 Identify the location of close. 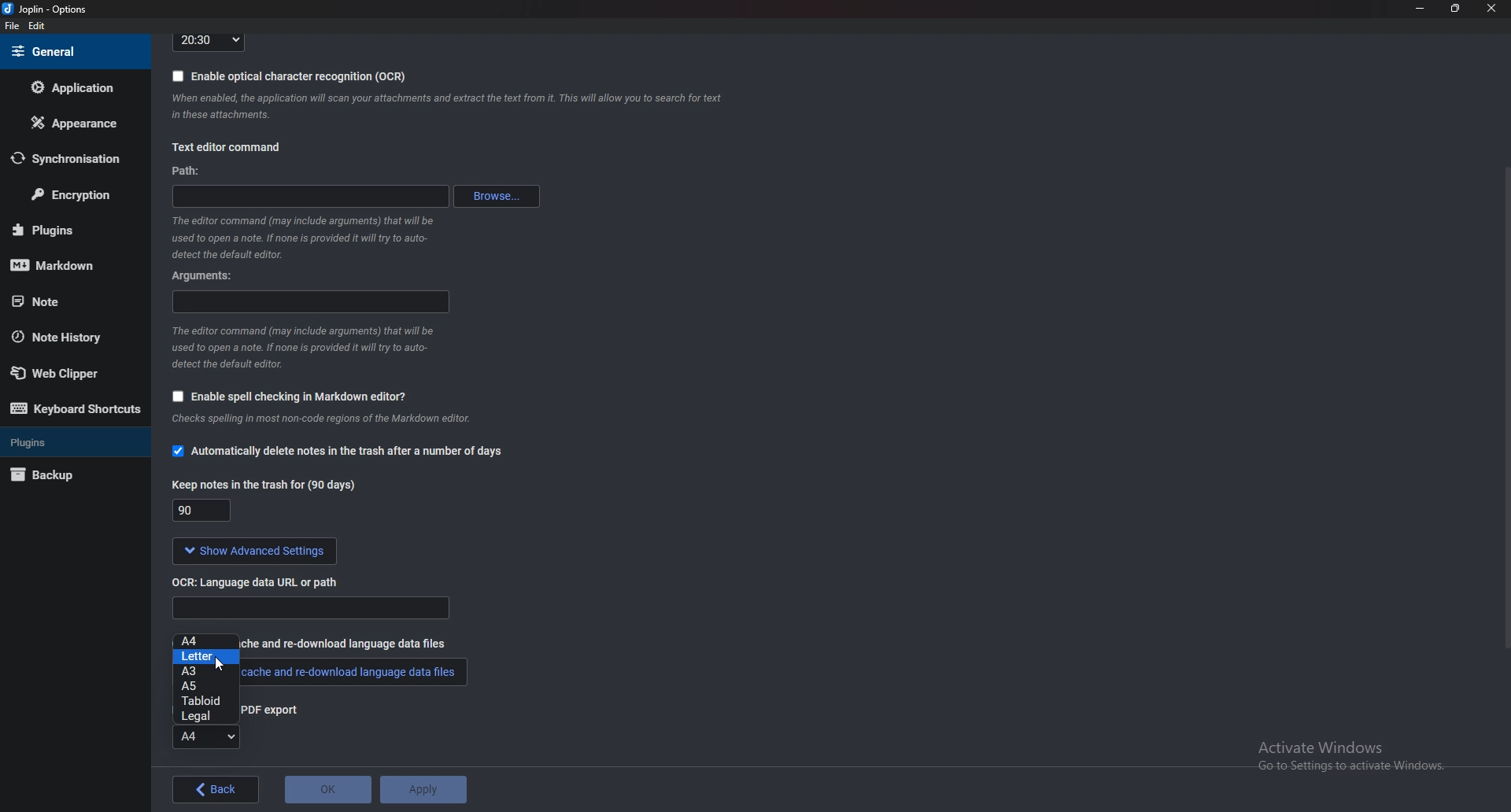
(1489, 8).